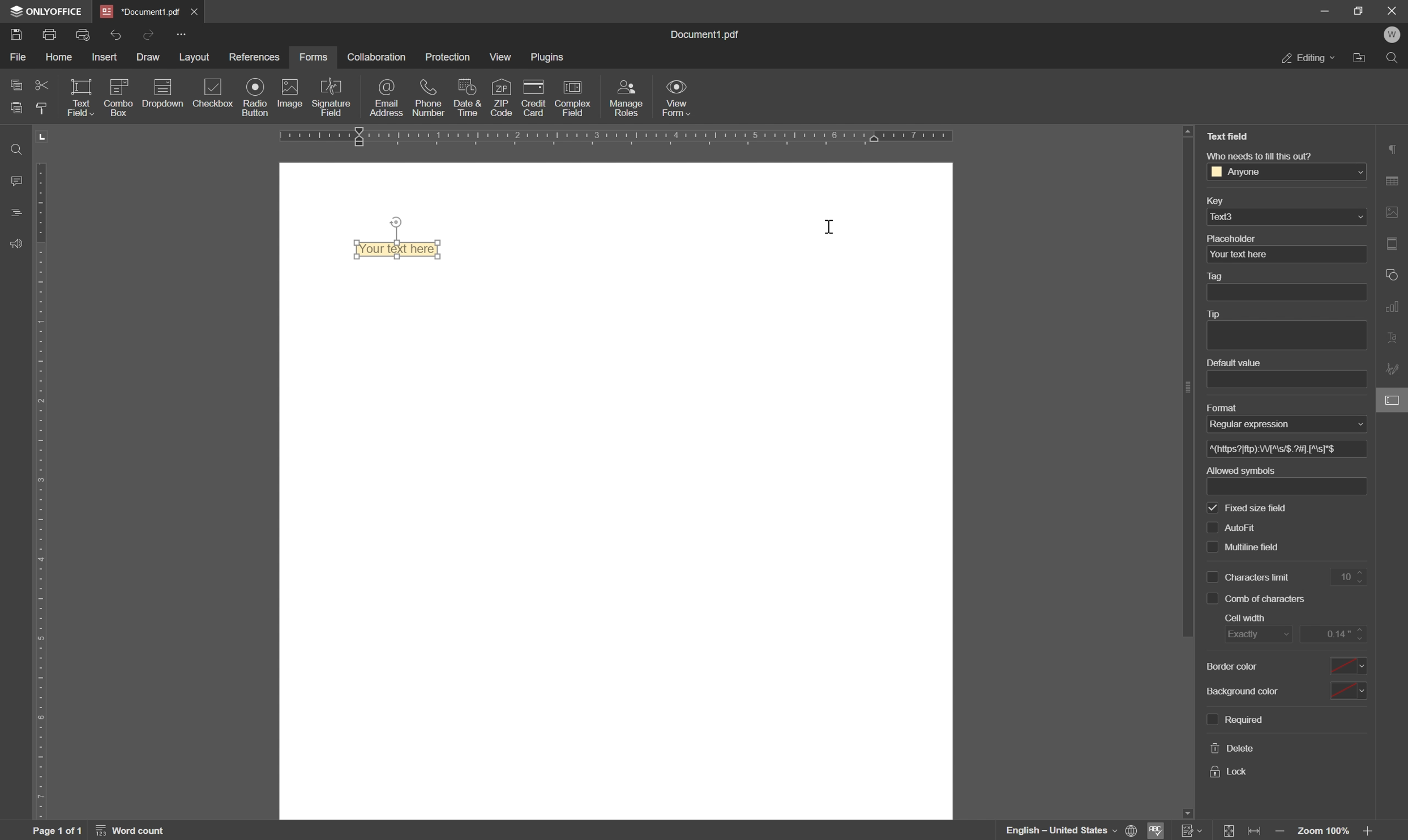 The height and width of the screenshot is (840, 1408). Describe the element at coordinates (1325, 12) in the screenshot. I see `minimize` at that location.